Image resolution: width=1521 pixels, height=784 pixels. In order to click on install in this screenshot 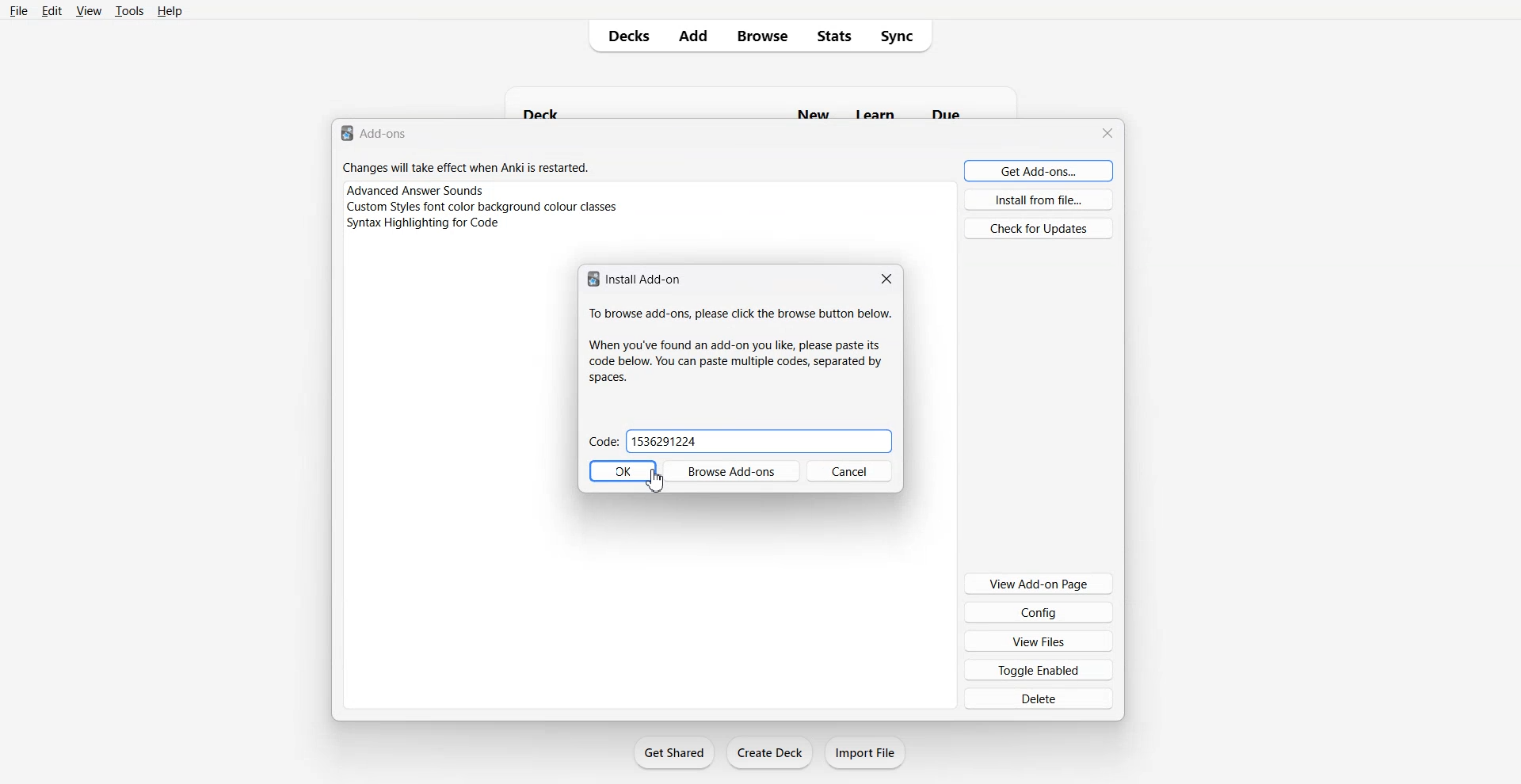, I will do `click(644, 278)`.